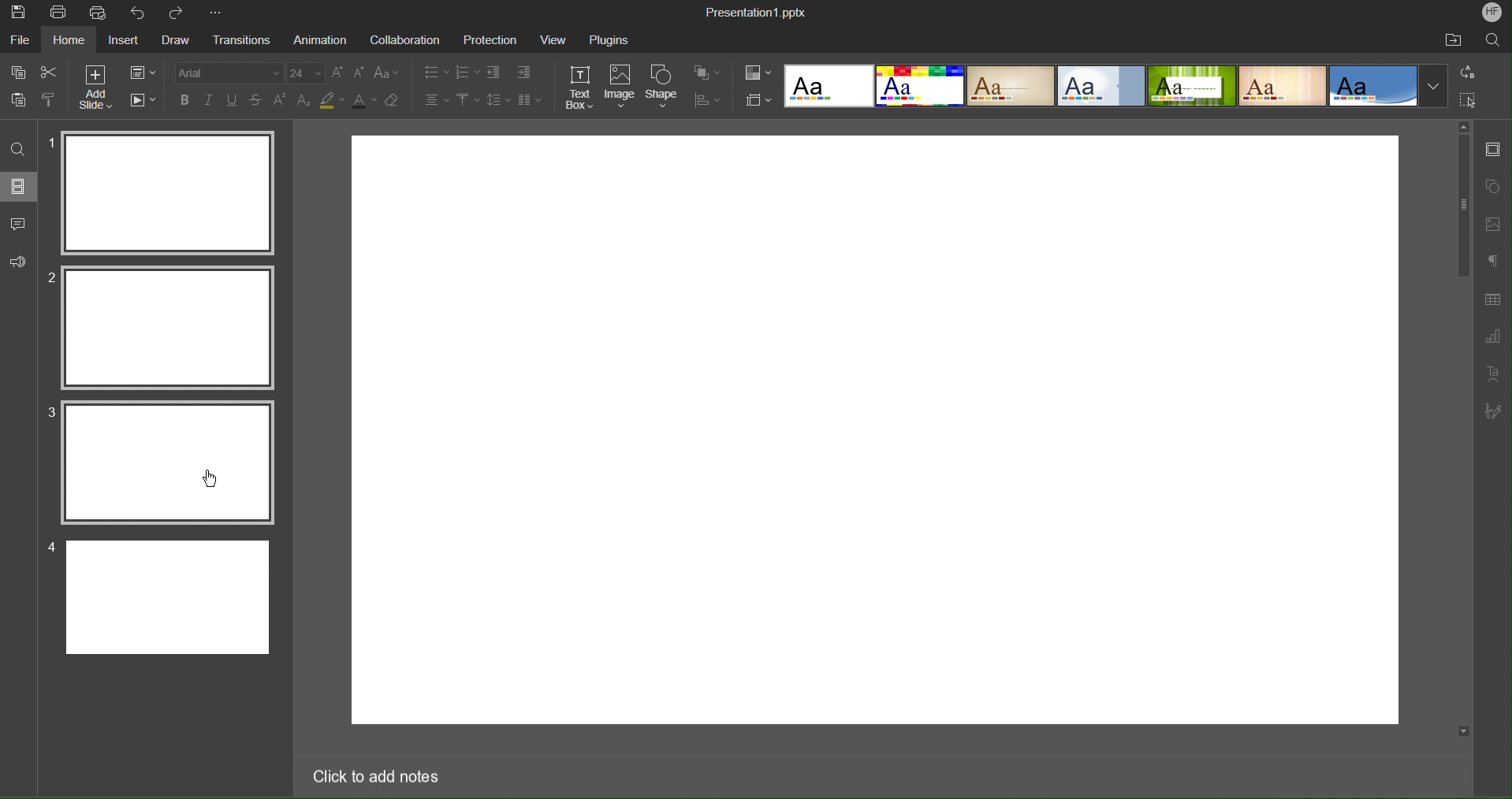 Image resolution: width=1512 pixels, height=799 pixels. I want to click on clone formatting, so click(51, 100).